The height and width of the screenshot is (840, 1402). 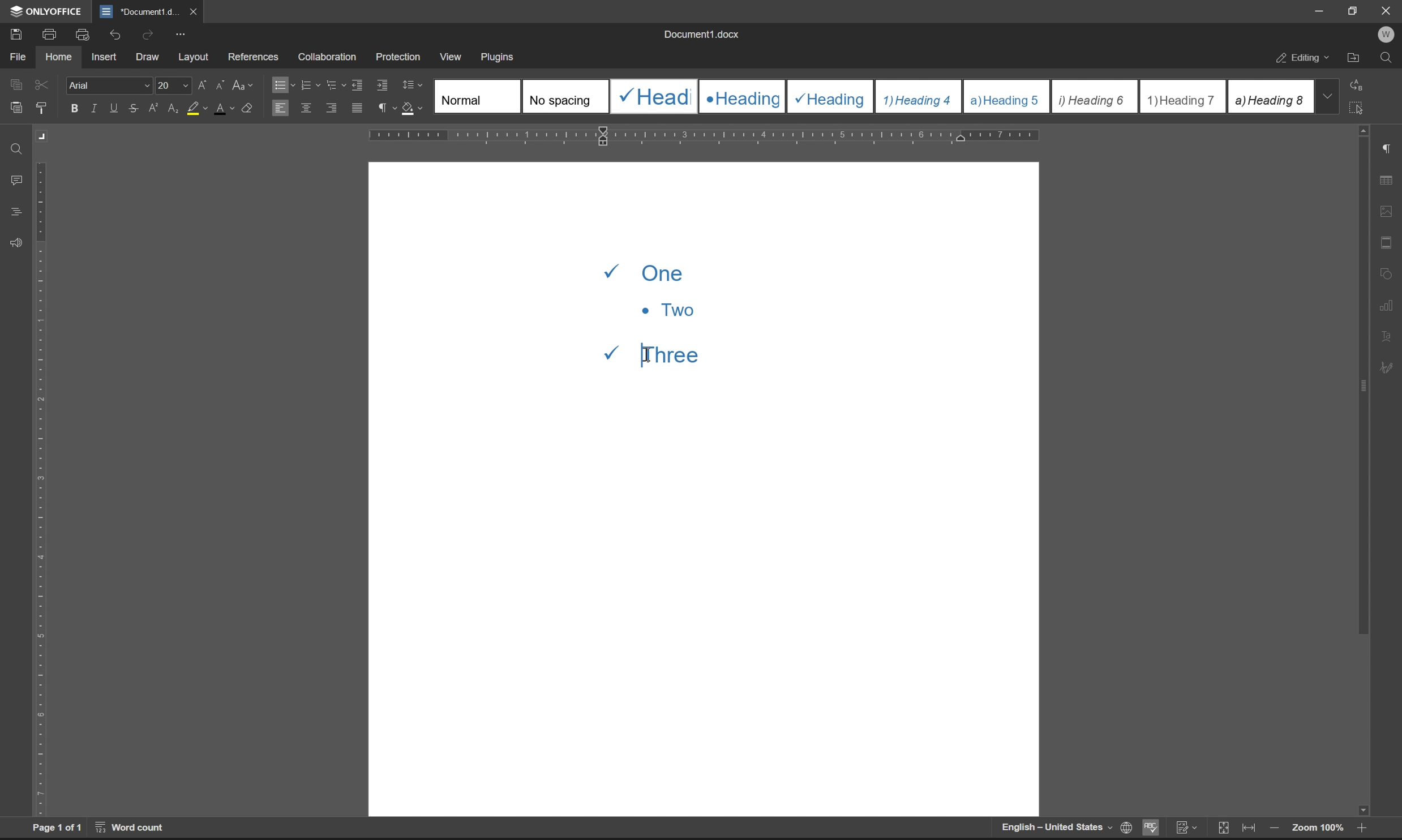 I want to click on shape settings, so click(x=1386, y=271).